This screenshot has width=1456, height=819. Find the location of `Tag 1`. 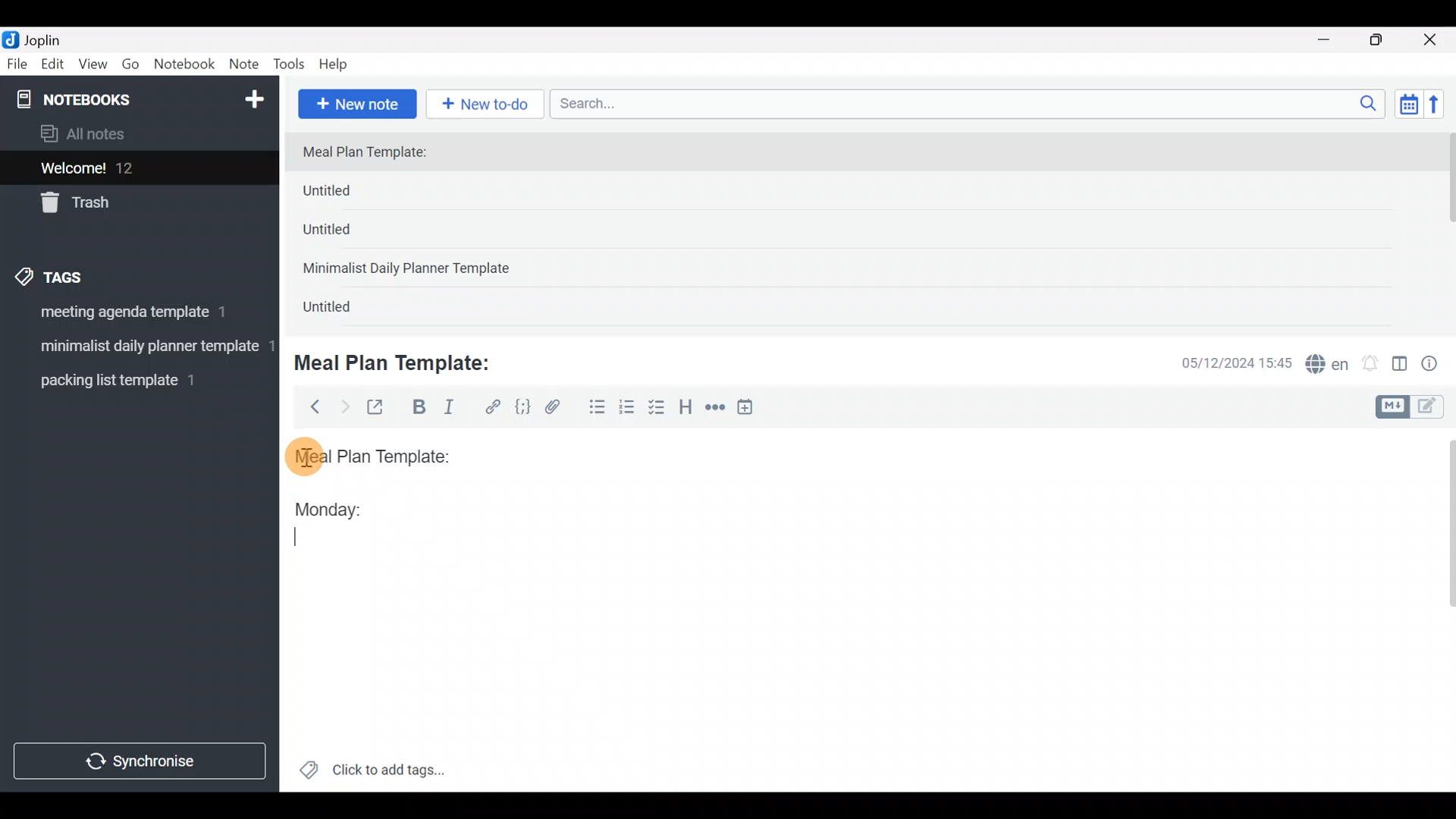

Tag 1 is located at coordinates (135, 316).